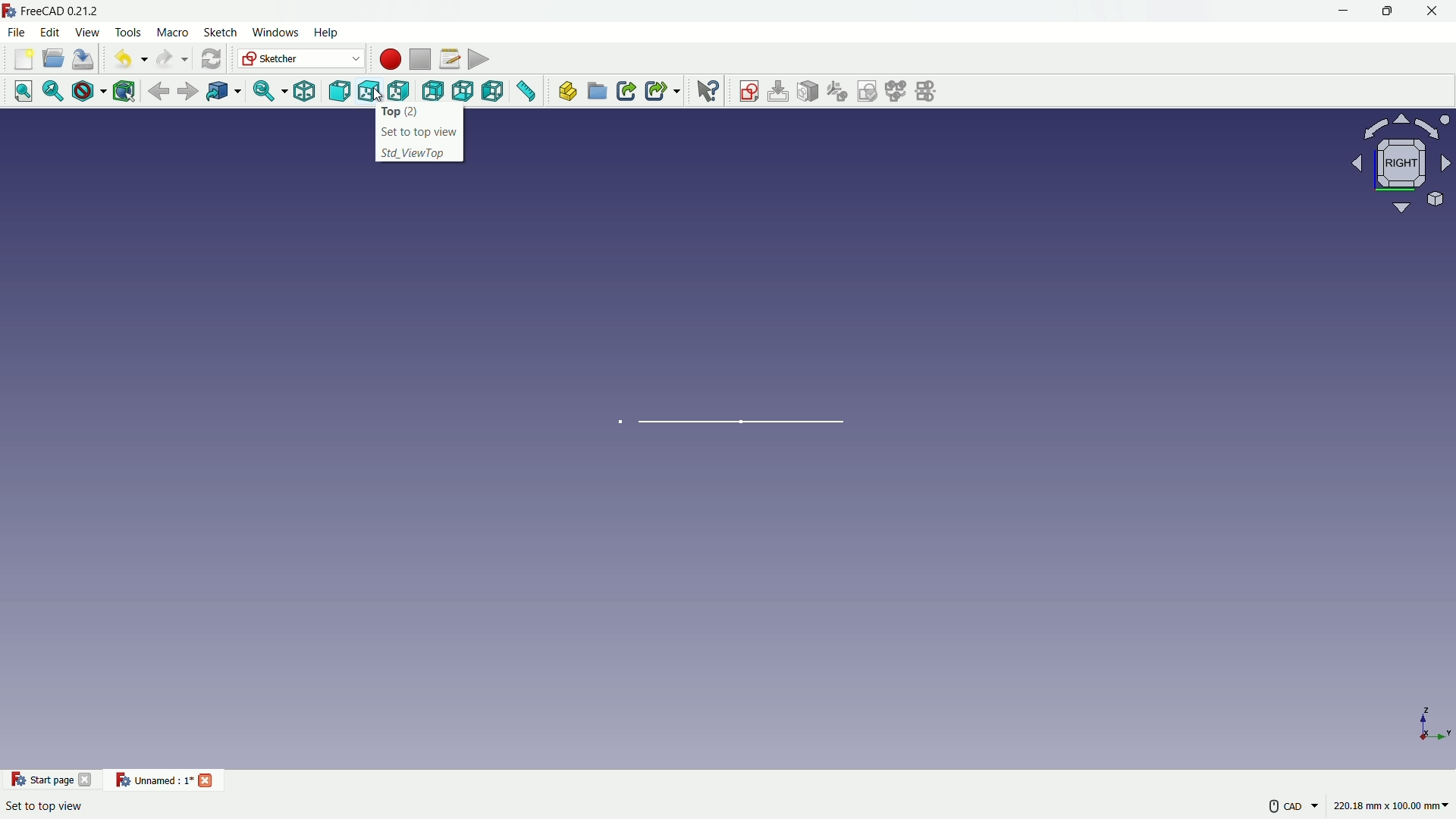 Image resolution: width=1456 pixels, height=819 pixels. What do you see at coordinates (276, 34) in the screenshot?
I see `windows menu` at bounding box center [276, 34].